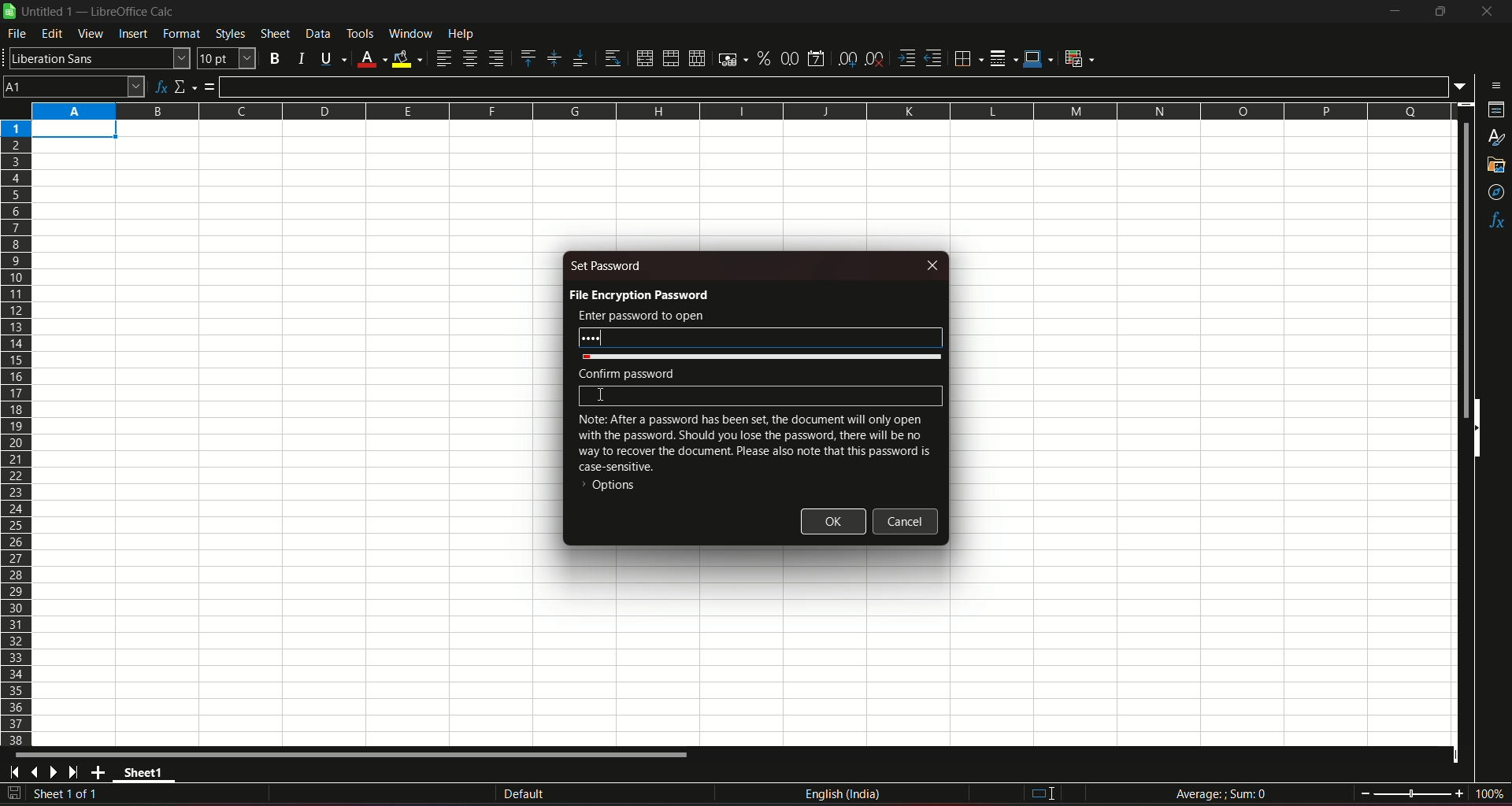  What do you see at coordinates (443, 58) in the screenshot?
I see `  align` at bounding box center [443, 58].